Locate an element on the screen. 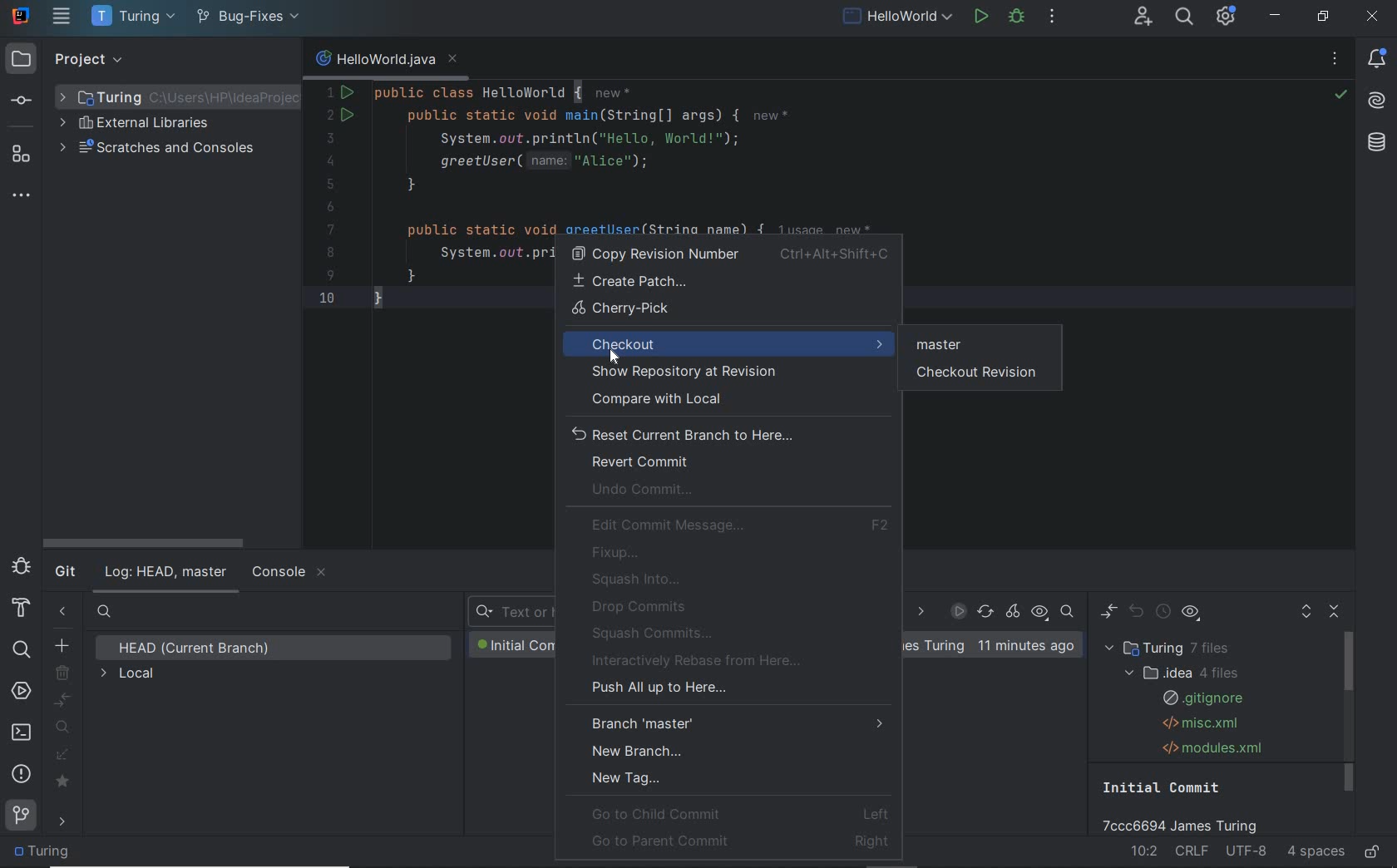 The image size is (1397, 868). commit is located at coordinates (24, 101).